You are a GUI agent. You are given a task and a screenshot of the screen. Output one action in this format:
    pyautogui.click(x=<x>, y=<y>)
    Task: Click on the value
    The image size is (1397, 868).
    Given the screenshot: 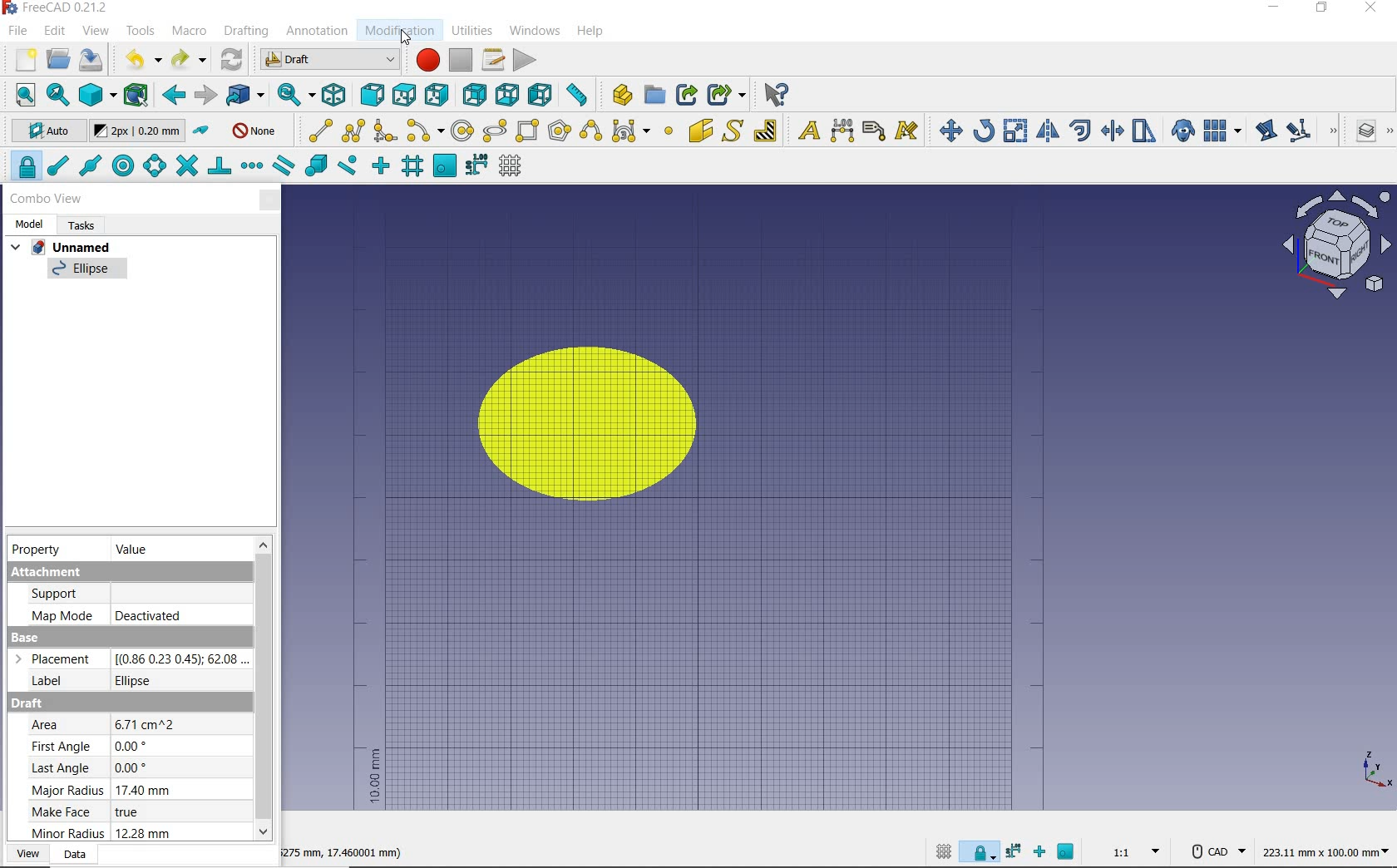 What is the action you would take?
    pyautogui.click(x=136, y=548)
    